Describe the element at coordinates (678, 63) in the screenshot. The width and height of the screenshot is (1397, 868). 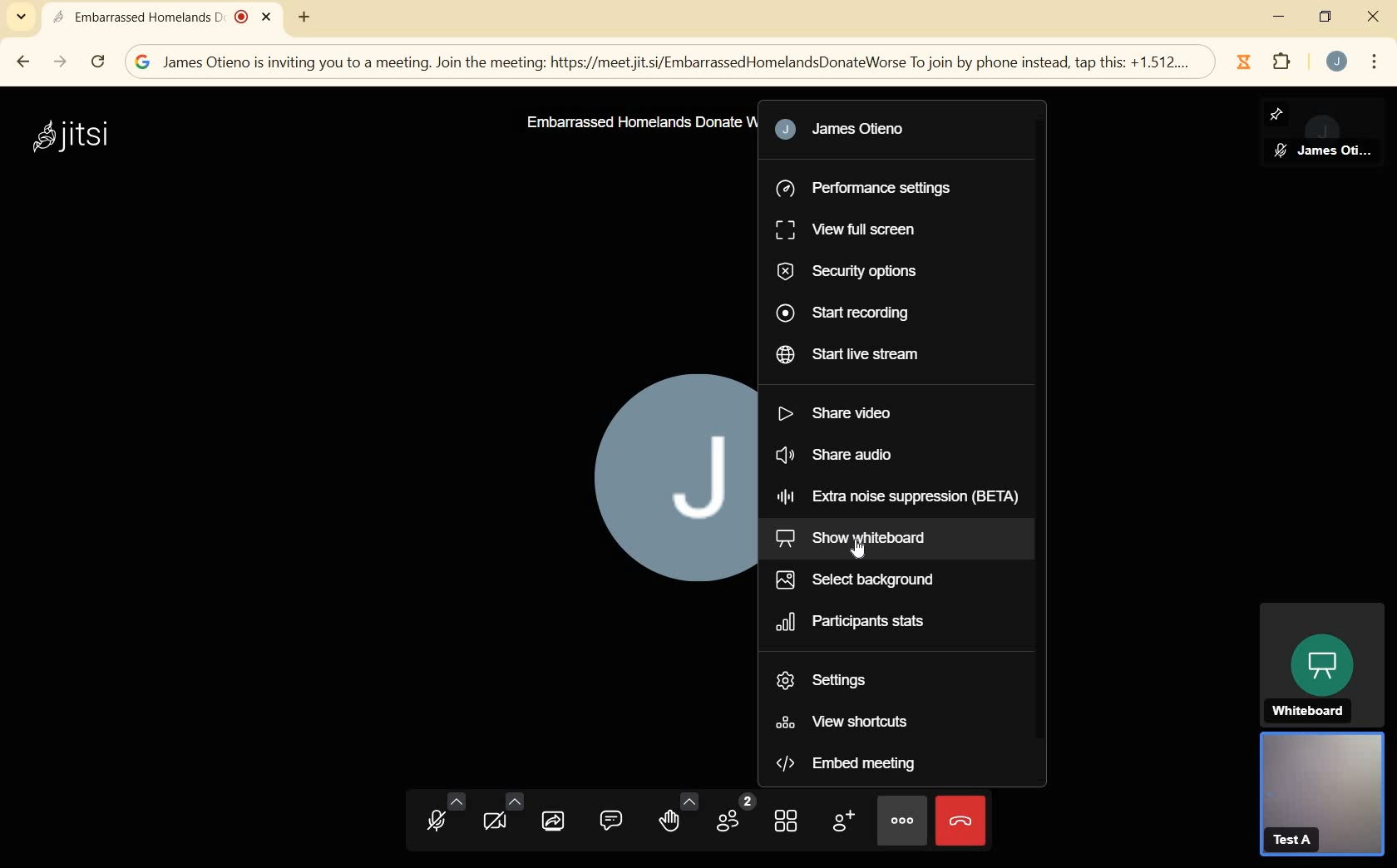
I see `; James Otieno is inviting you to a meeting. Join the meeting: https://meetiit.si/EmbarrassedHomelandsDonateWorse To join by phone instead, tap this: +1.512....` at that location.